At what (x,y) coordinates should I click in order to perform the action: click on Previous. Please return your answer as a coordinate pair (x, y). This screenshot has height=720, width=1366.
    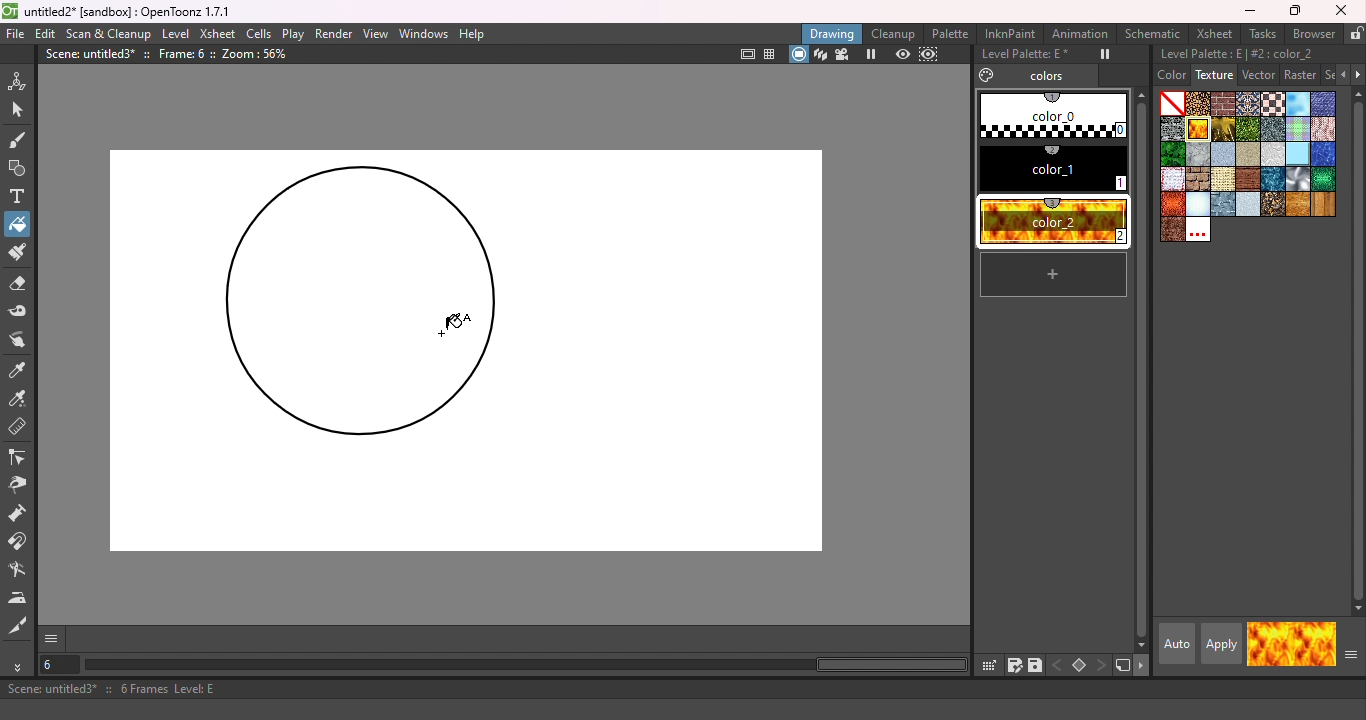
    Looking at the image, I should click on (1339, 74).